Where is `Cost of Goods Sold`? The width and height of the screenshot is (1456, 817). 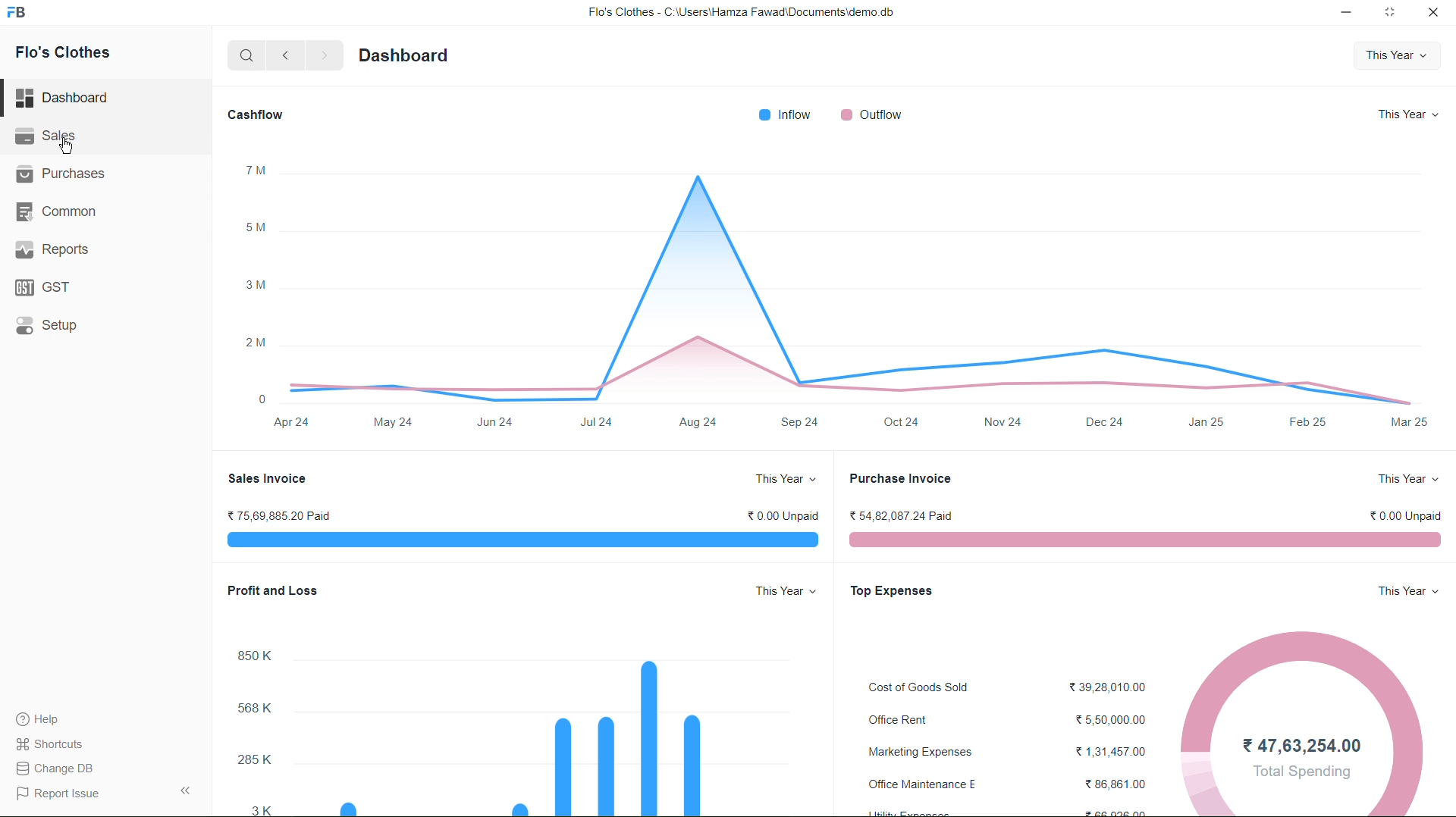 Cost of Goods Sold is located at coordinates (915, 686).